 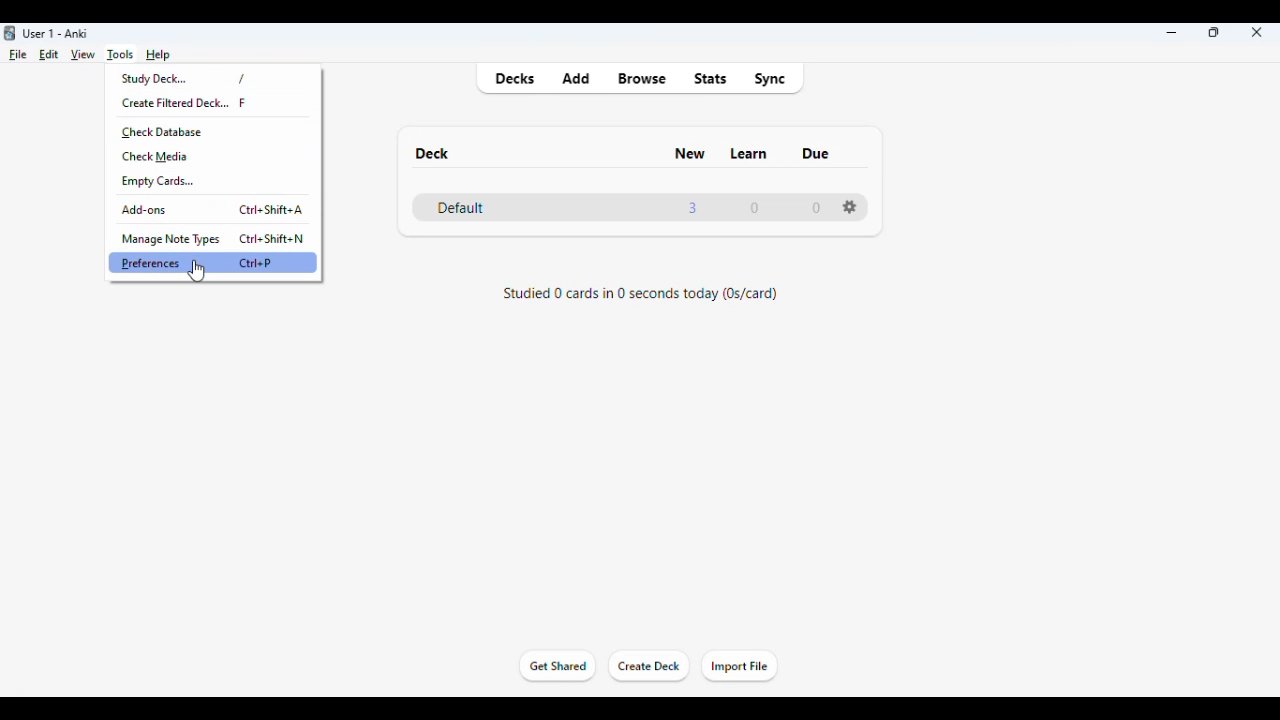 What do you see at coordinates (642, 78) in the screenshot?
I see `browse` at bounding box center [642, 78].